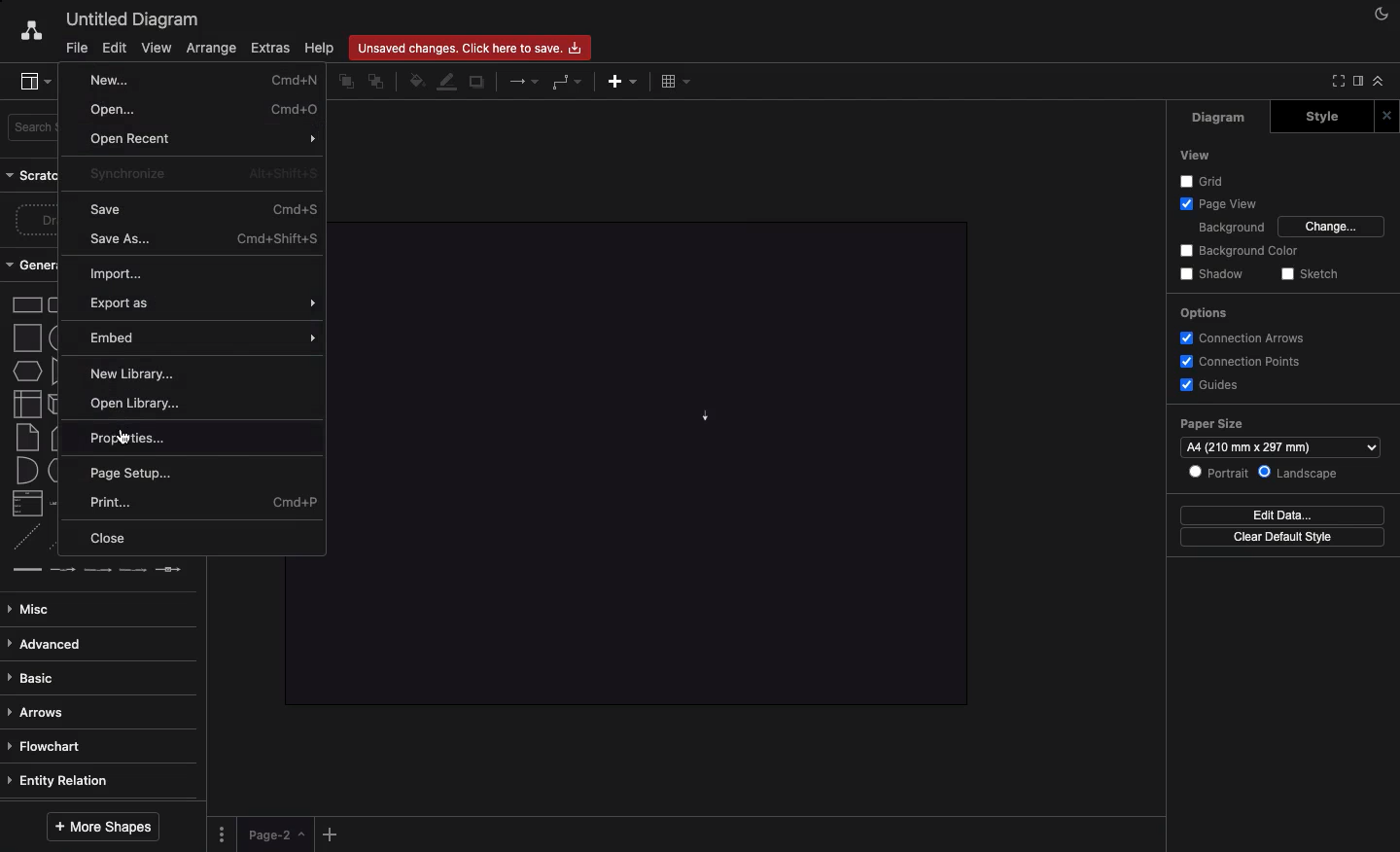 The width and height of the screenshot is (1400, 852). Describe the element at coordinates (569, 82) in the screenshot. I see `Waypoints` at that location.